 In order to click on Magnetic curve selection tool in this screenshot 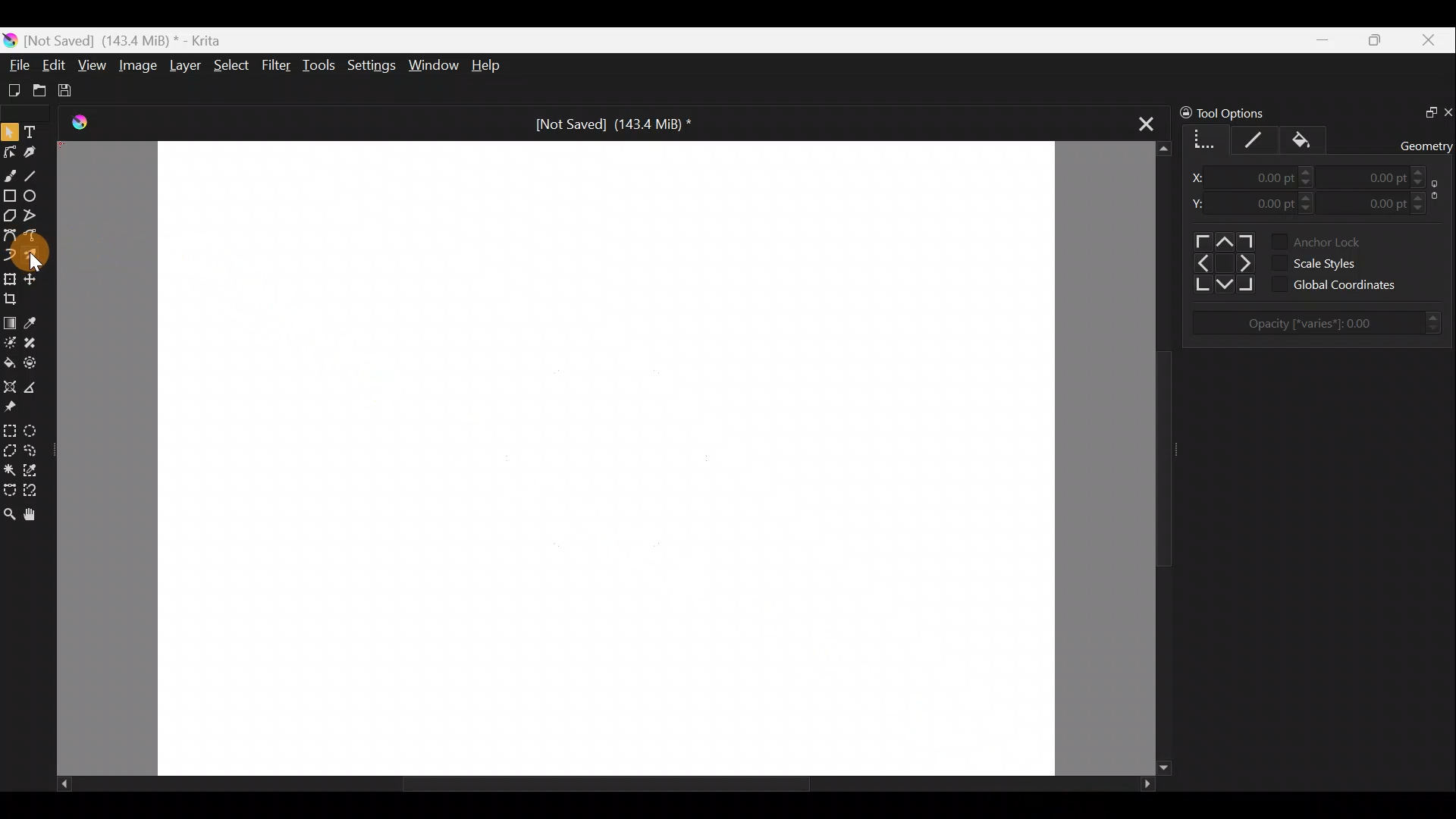, I will do `click(37, 491)`.